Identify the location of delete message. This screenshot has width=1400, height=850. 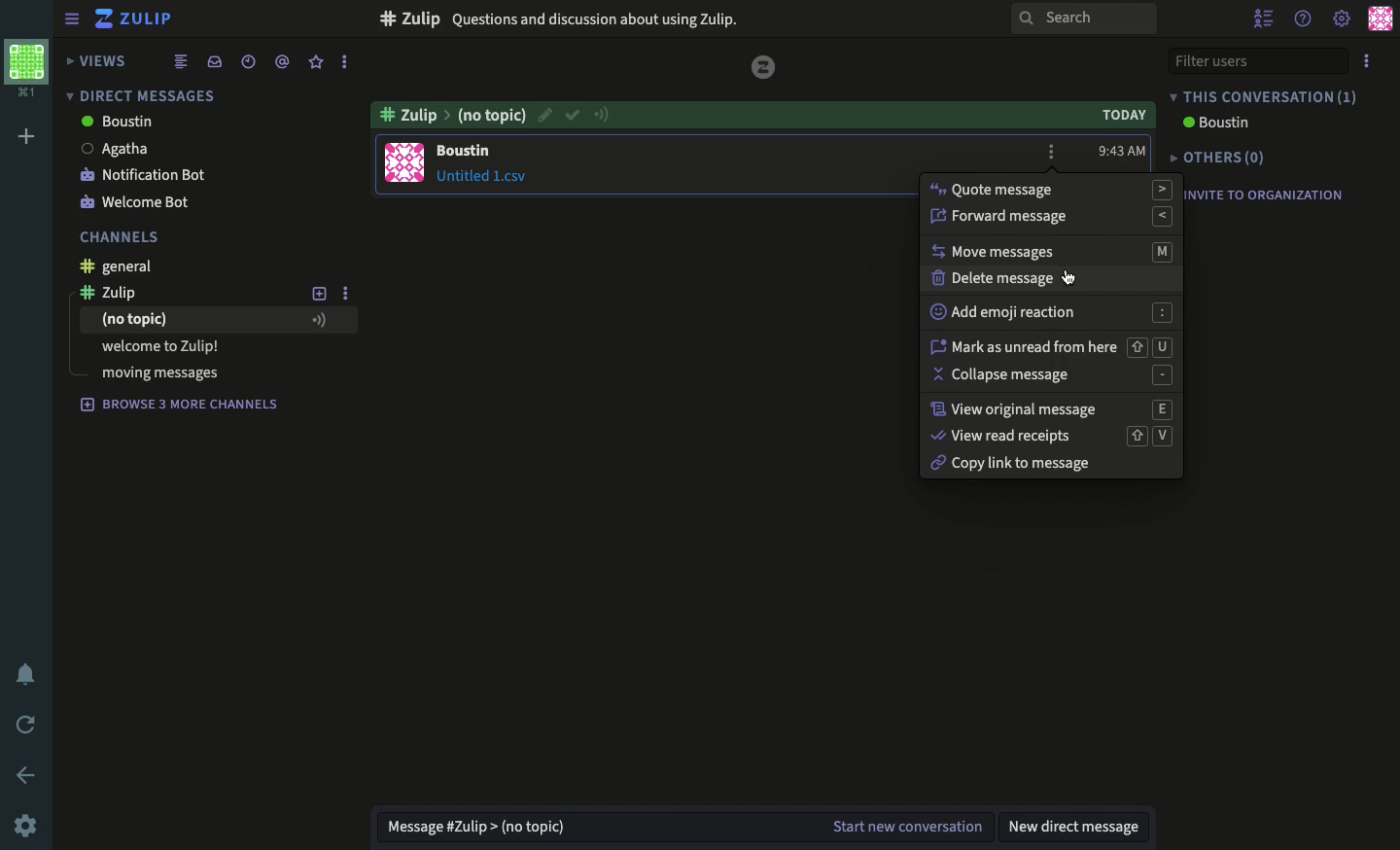
(1001, 279).